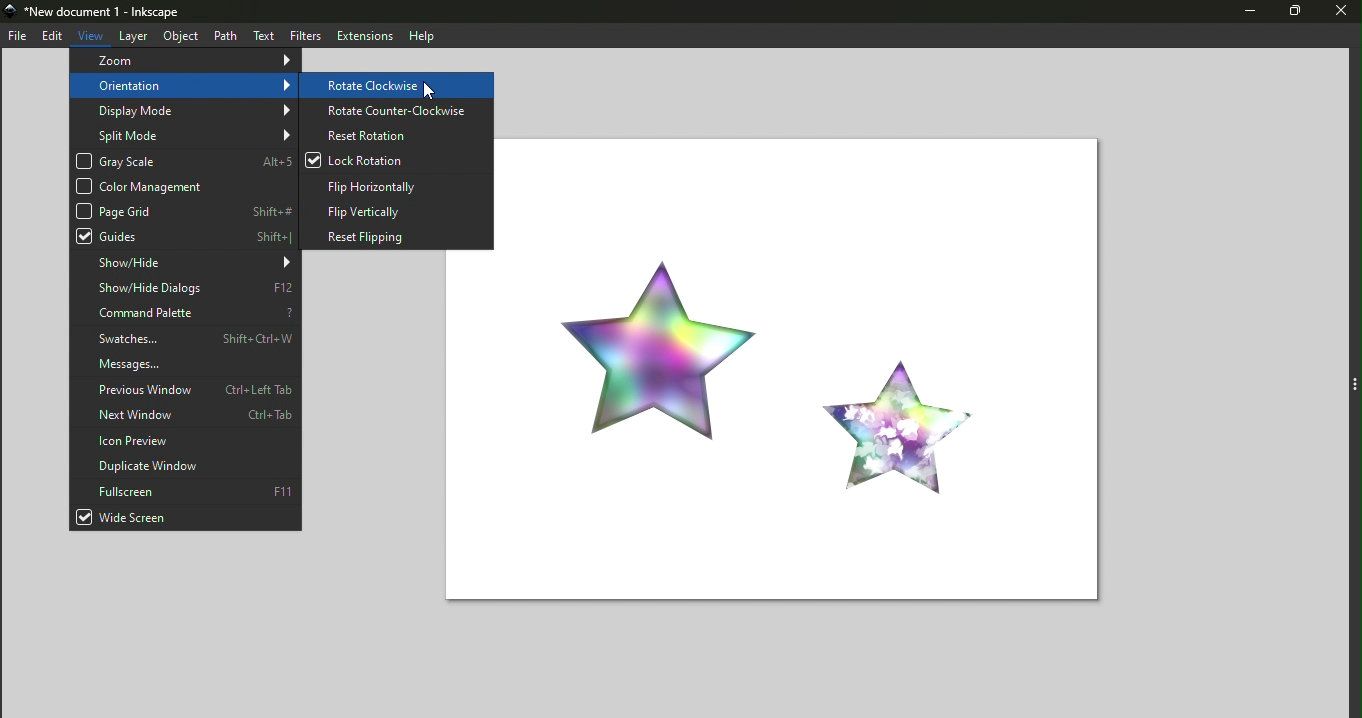  What do you see at coordinates (1292, 13) in the screenshot?
I see `Maximize` at bounding box center [1292, 13].